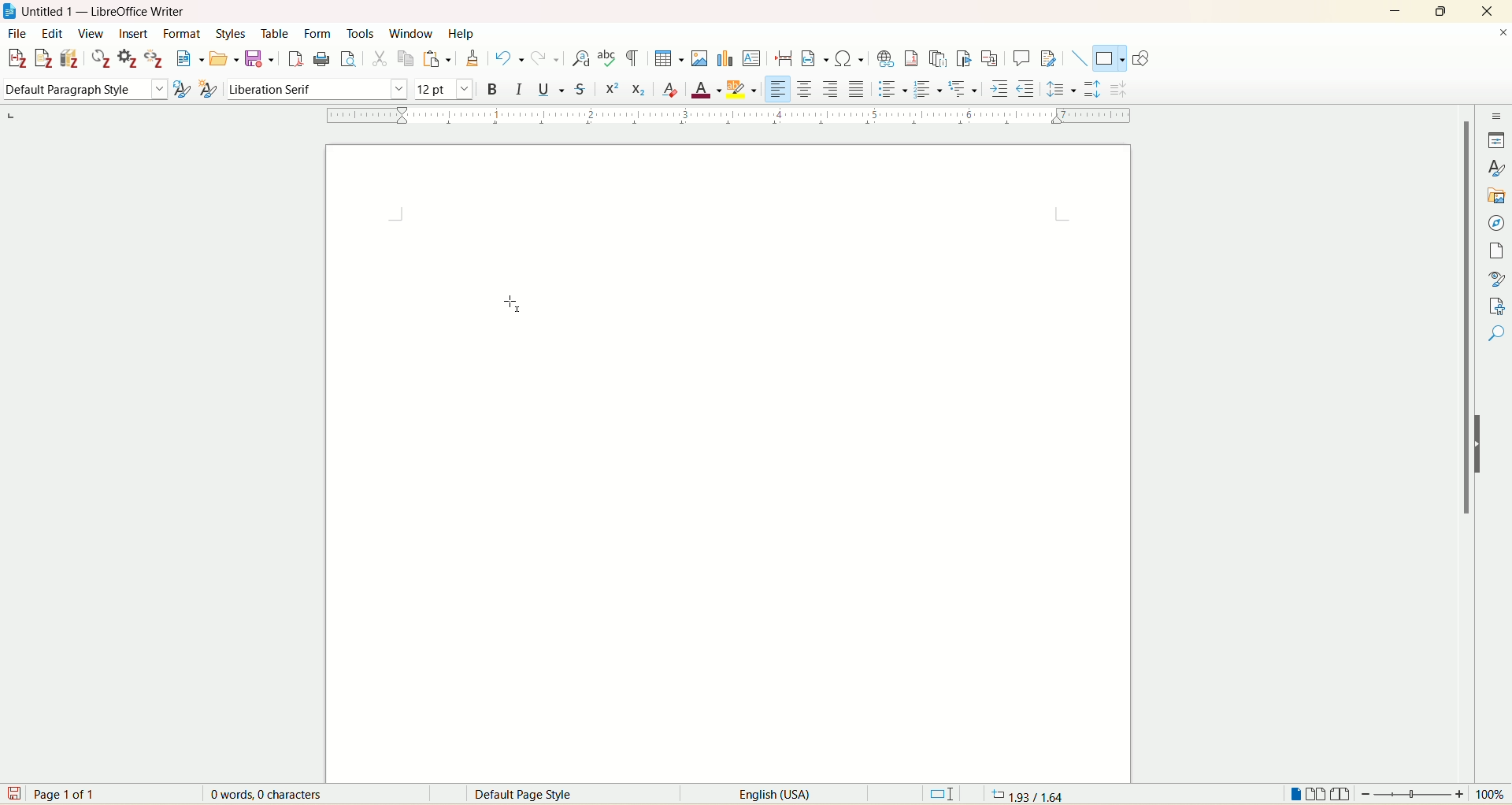 The height and width of the screenshot is (805, 1512). What do you see at coordinates (1413, 793) in the screenshot?
I see `zoom bar` at bounding box center [1413, 793].